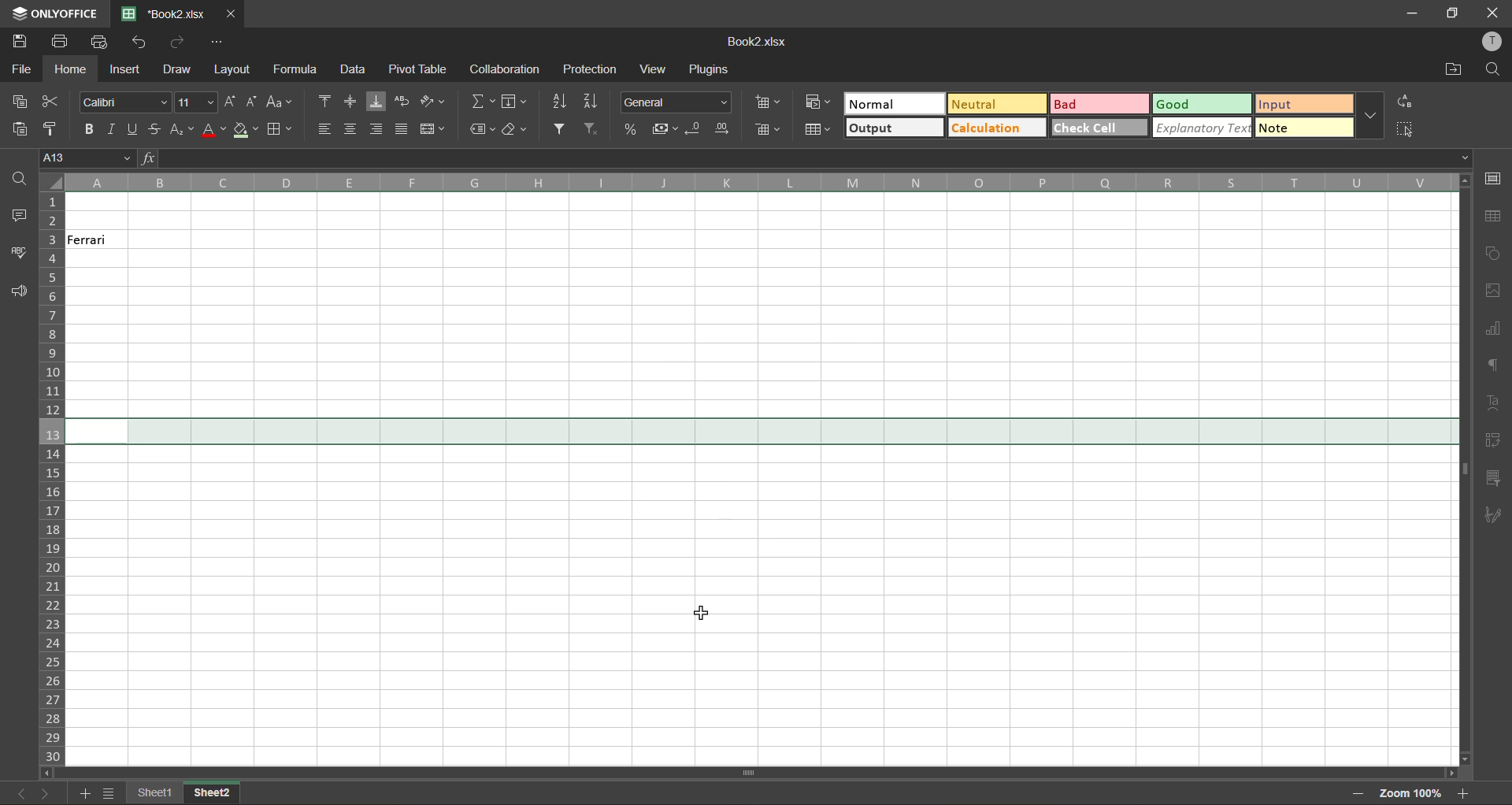  What do you see at coordinates (196, 102) in the screenshot?
I see `font size` at bounding box center [196, 102].